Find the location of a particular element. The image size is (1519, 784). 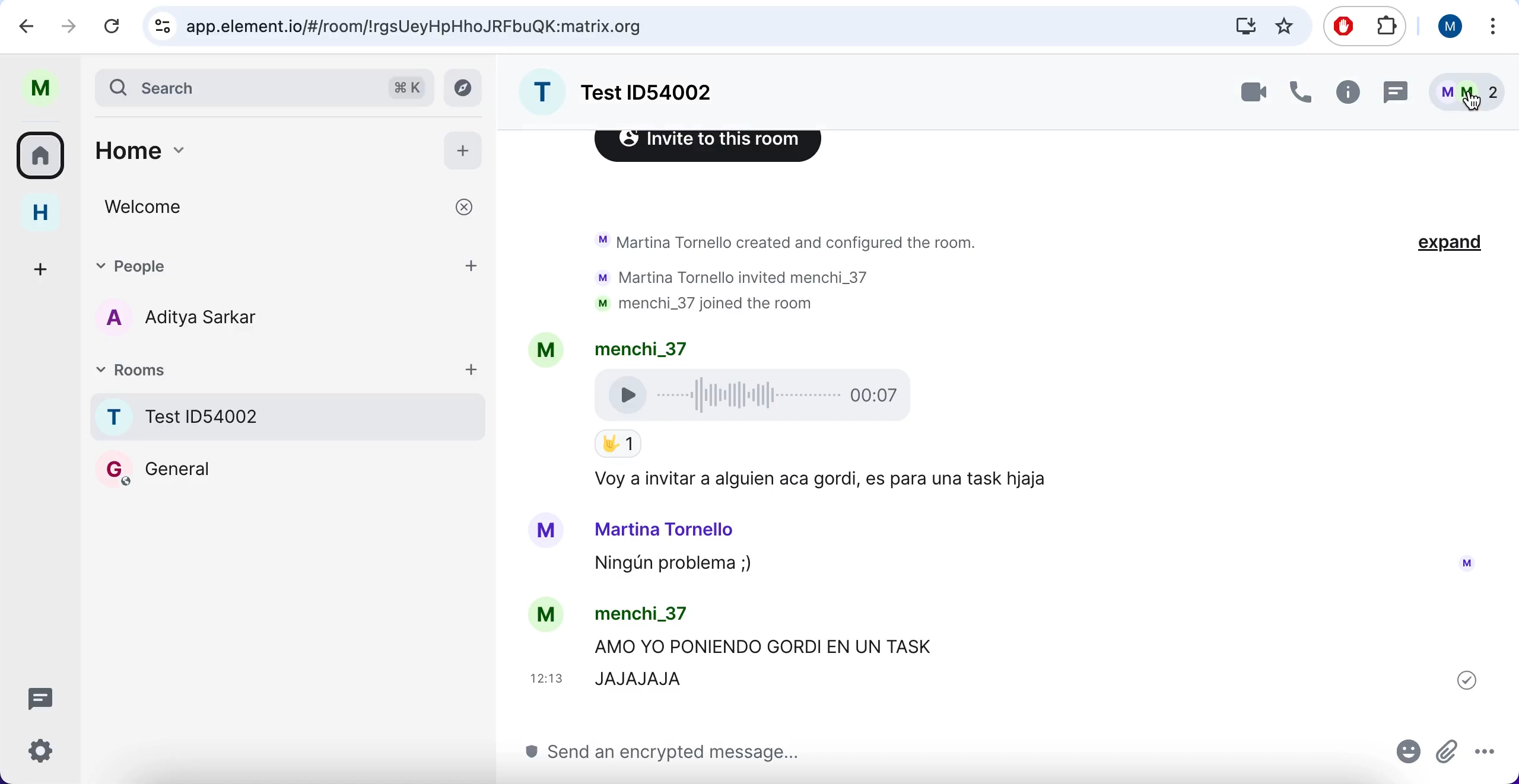

menchi_37 is located at coordinates (650, 614).